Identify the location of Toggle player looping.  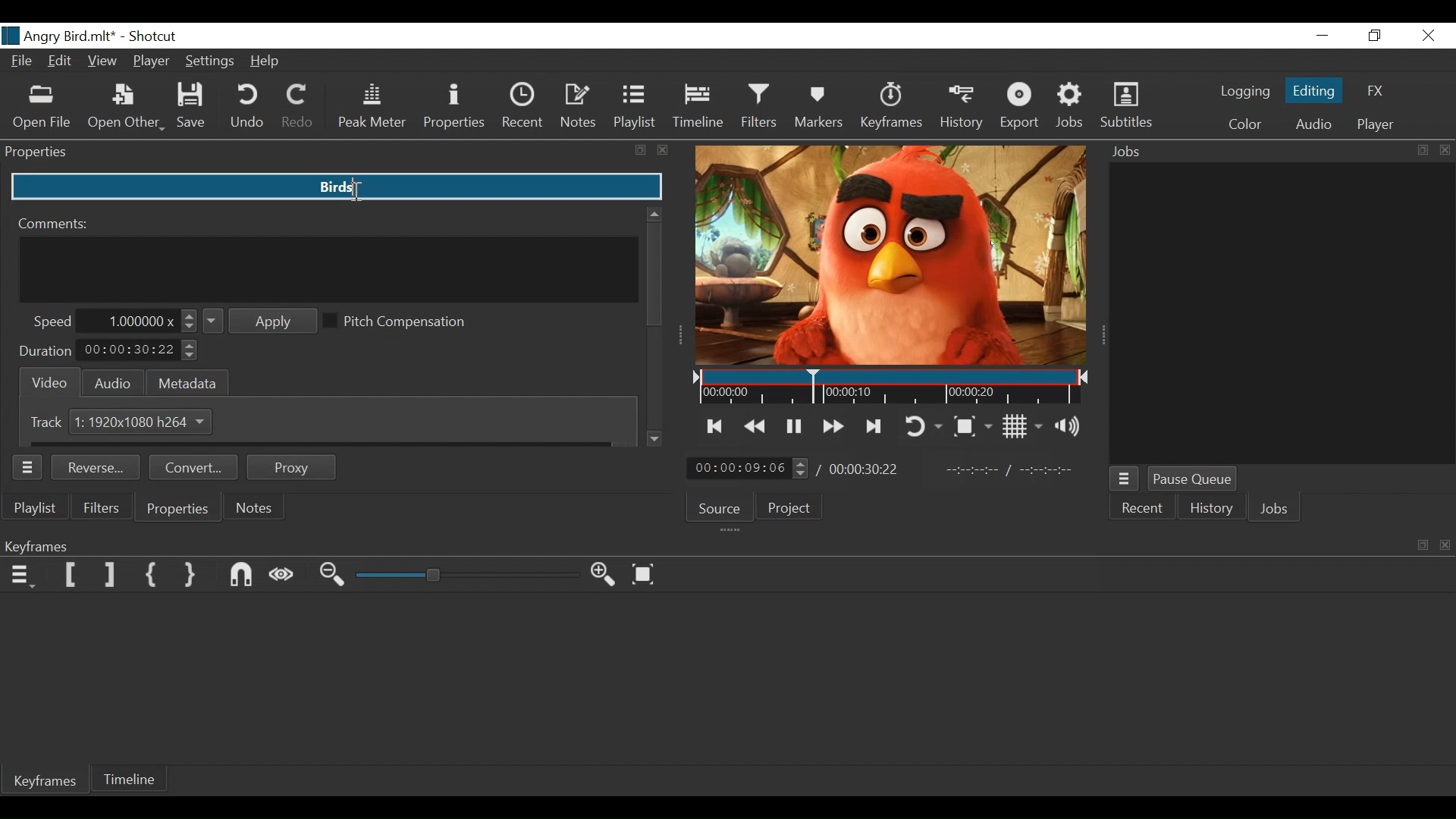
(925, 426).